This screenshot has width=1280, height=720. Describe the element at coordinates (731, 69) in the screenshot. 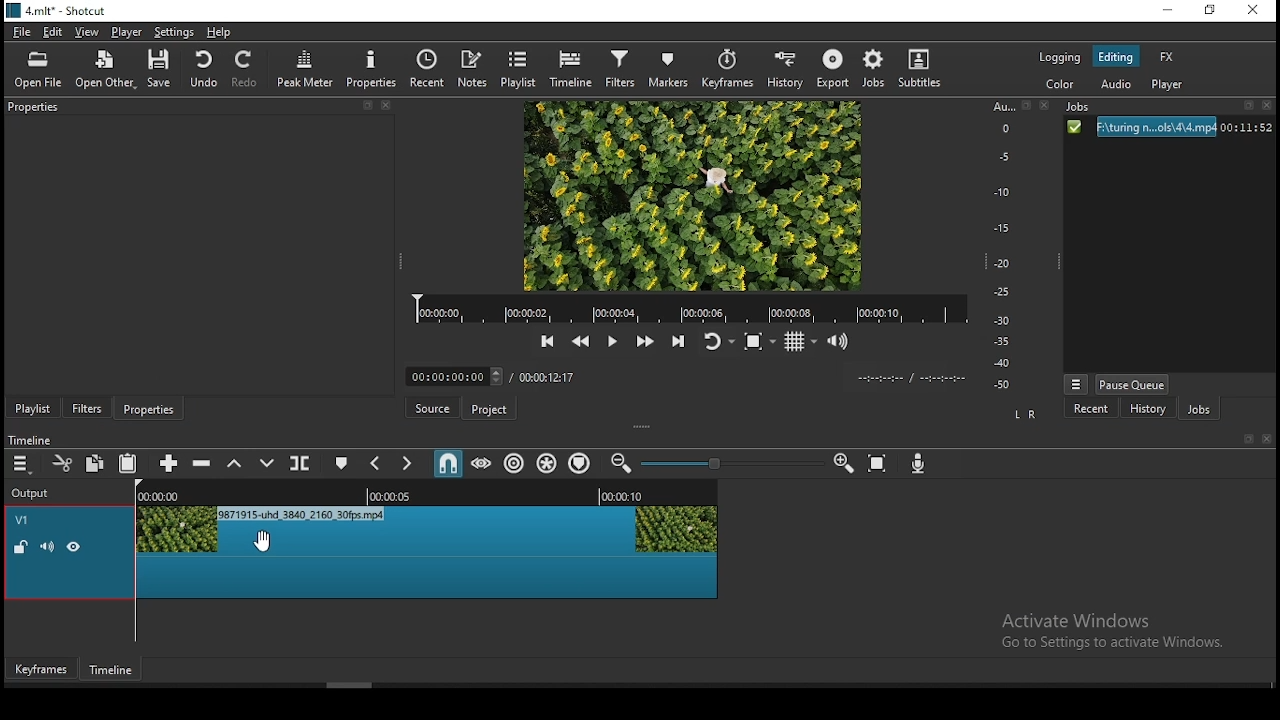

I see `keyframes` at that location.